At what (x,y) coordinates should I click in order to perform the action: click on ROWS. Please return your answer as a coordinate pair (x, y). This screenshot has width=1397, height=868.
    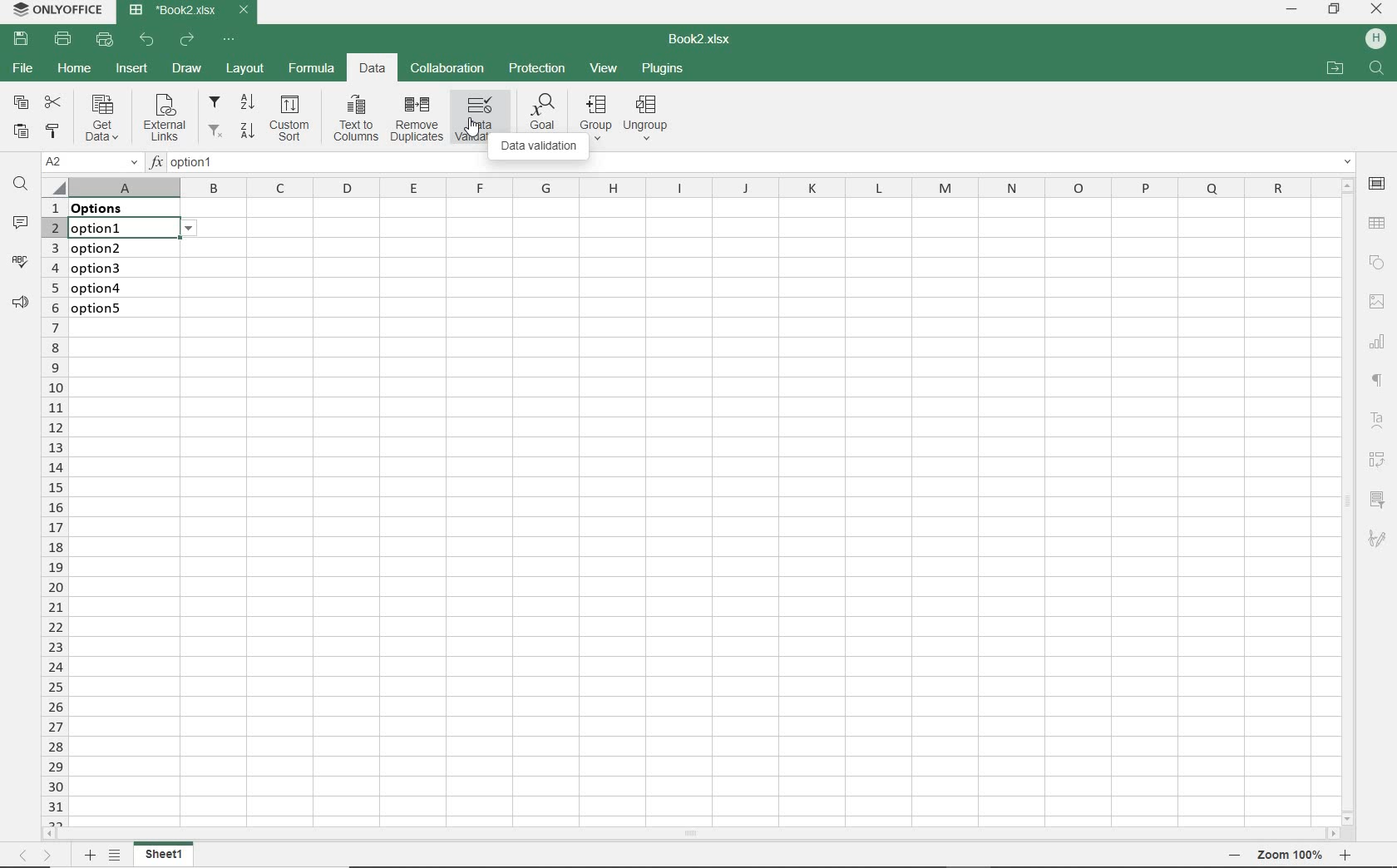
    Looking at the image, I should click on (53, 511).